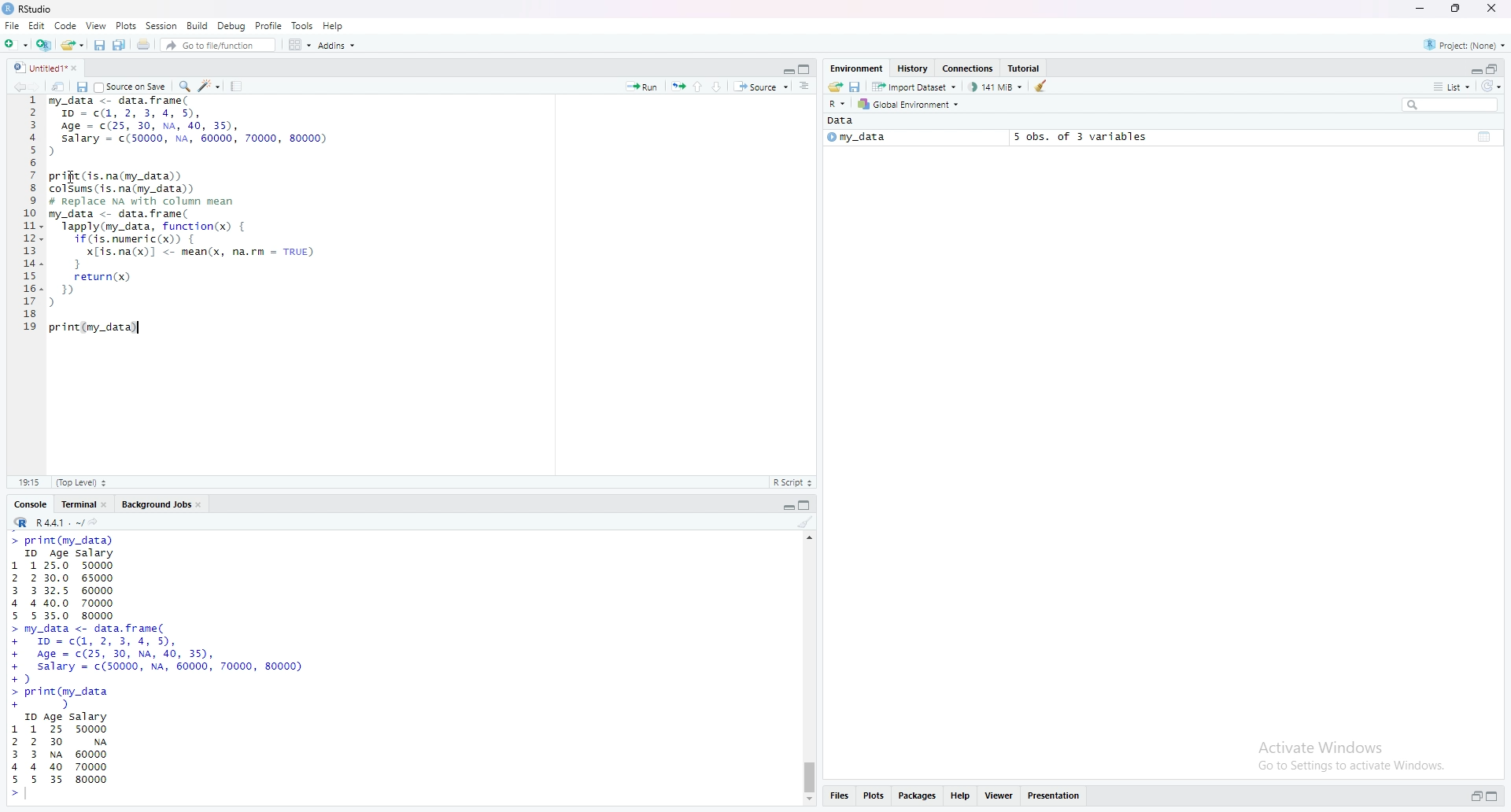 The image size is (1511, 812). I want to click on 5 obs, of 3 variables, so click(1074, 136).